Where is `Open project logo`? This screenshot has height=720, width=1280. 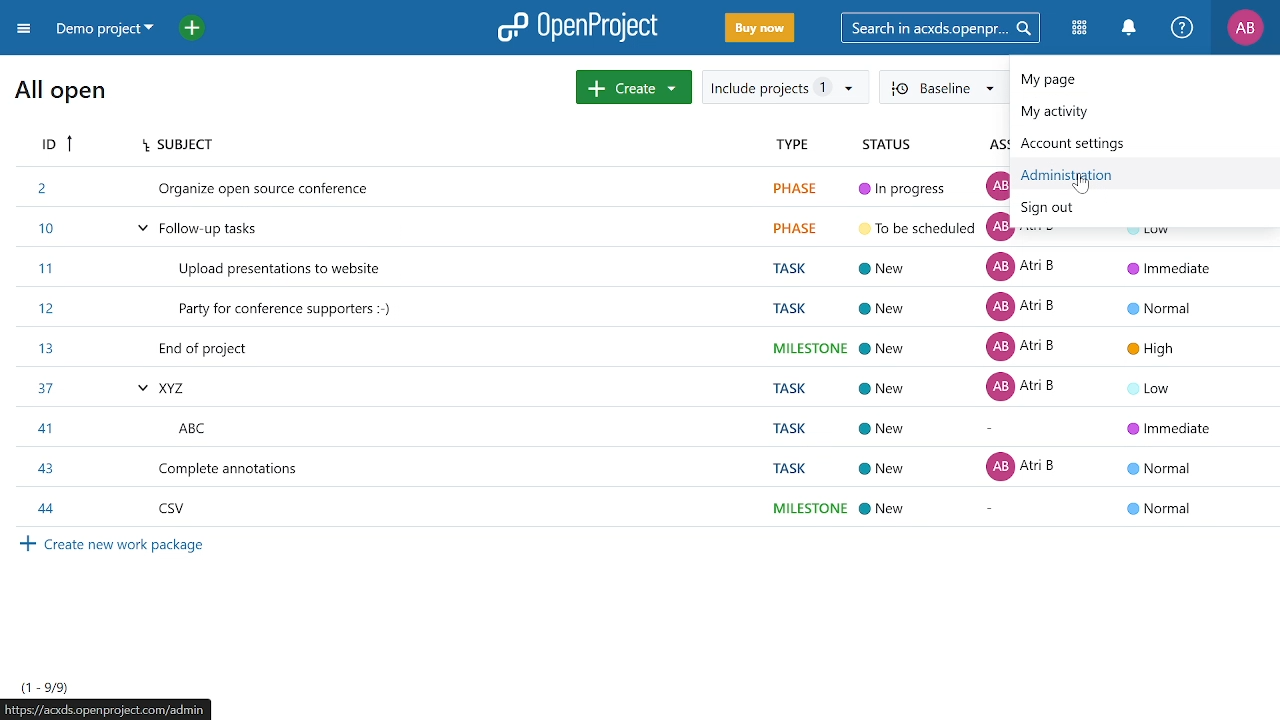
Open project logo is located at coordinates (578, 27).